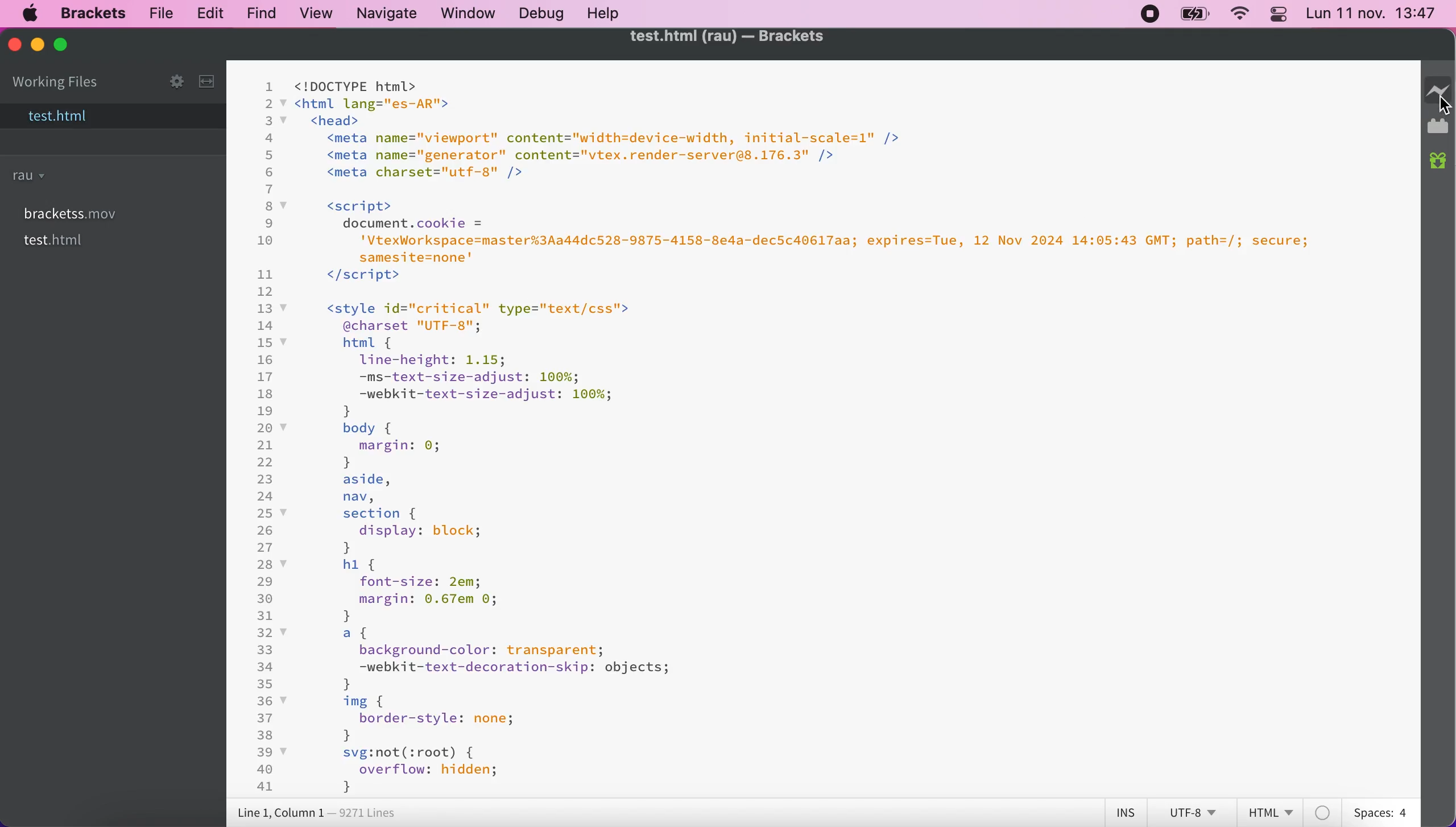 The height and width of the screenshot is (827, 1456). Describe the element at coordinates (169, 78) in the screenshot. I see `settings` at that location.